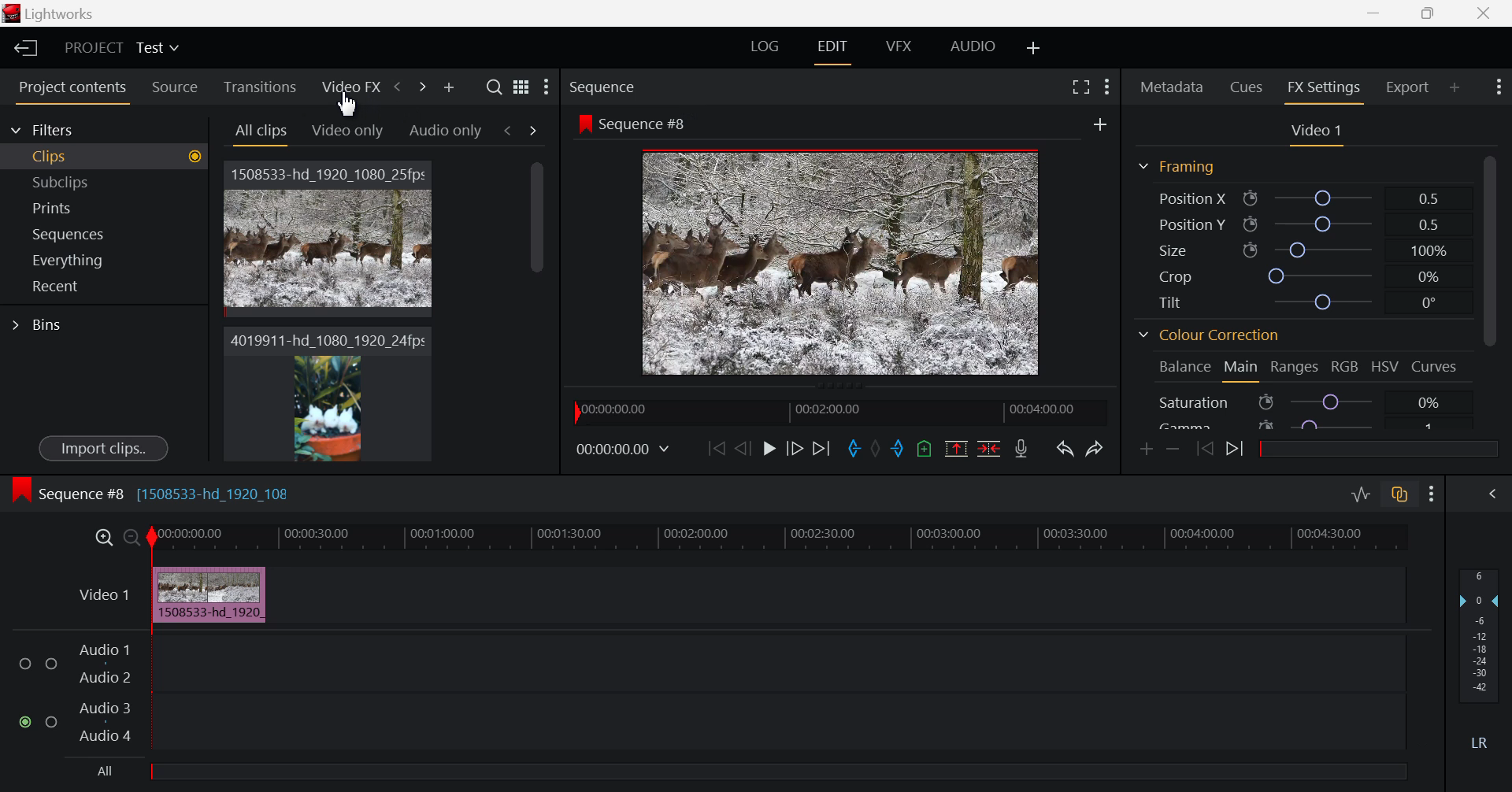 This screenshot has width=1512, height=792. I want to click on Record Voiceover, so click(1021, 451).